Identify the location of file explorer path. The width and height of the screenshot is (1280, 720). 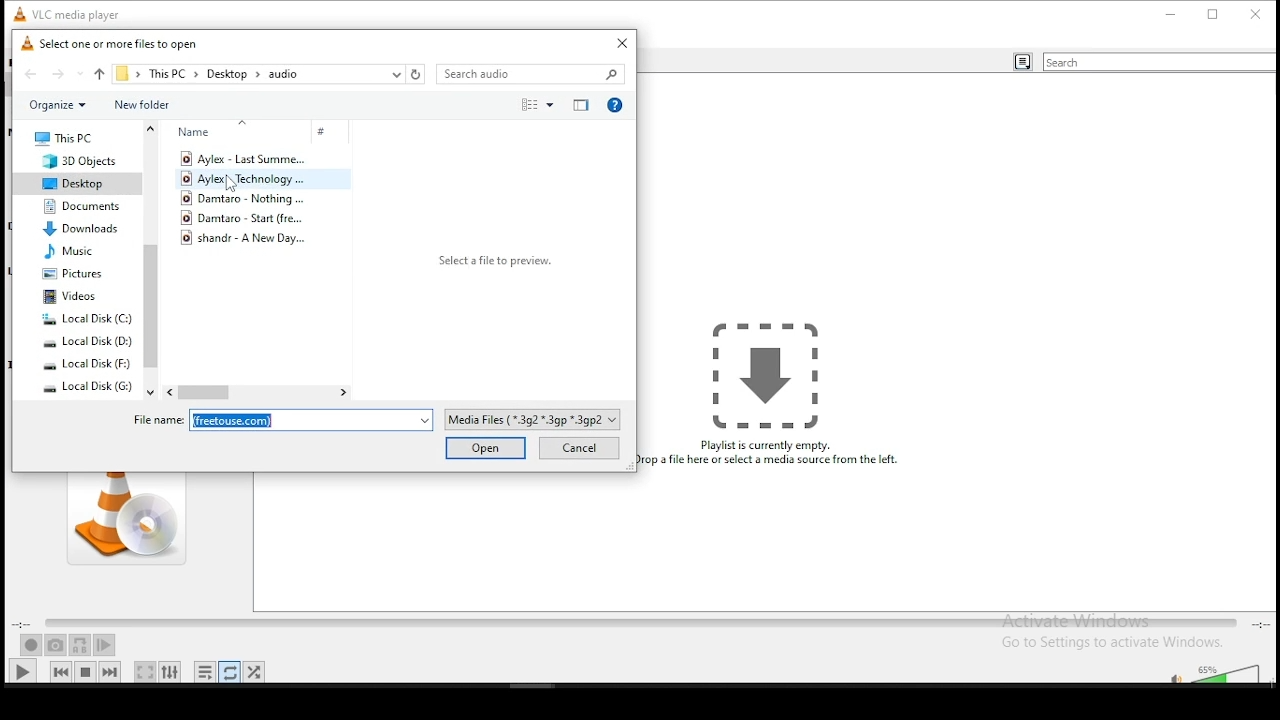
(123, 74).